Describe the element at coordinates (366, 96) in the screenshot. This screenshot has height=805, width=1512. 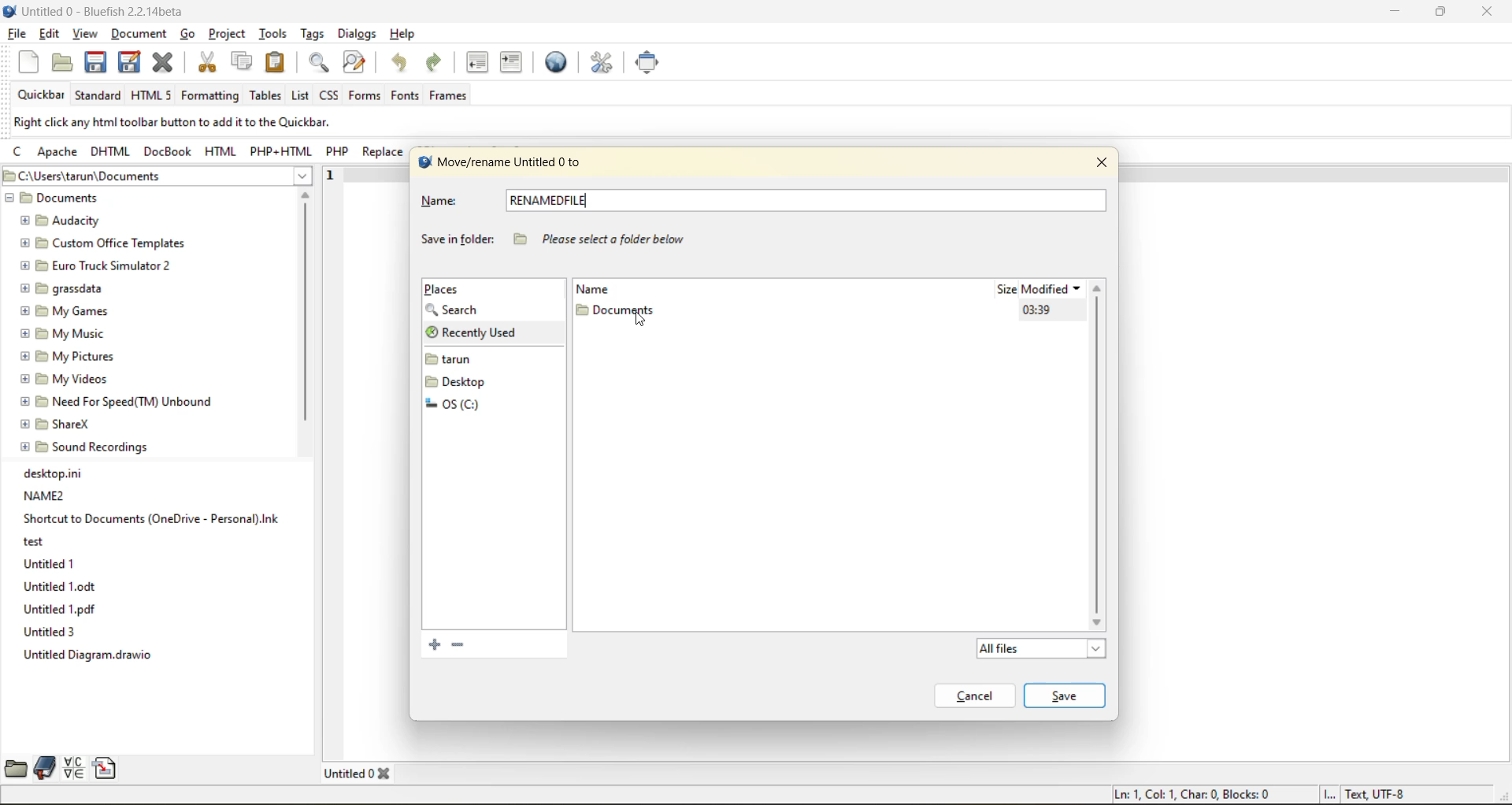
I see `forms` at that location.